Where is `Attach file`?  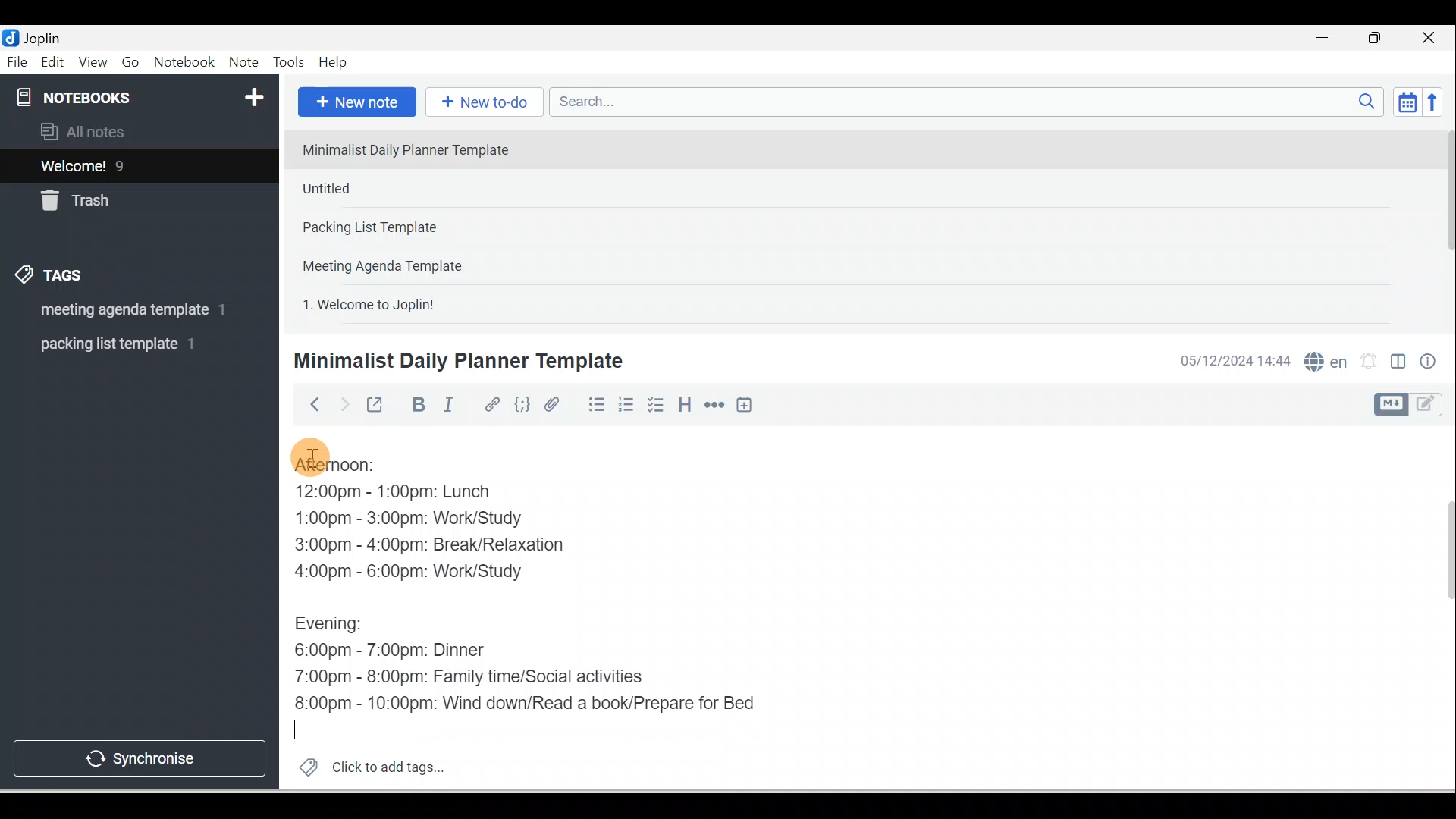 Attach file is located at coordinates (556, 404).